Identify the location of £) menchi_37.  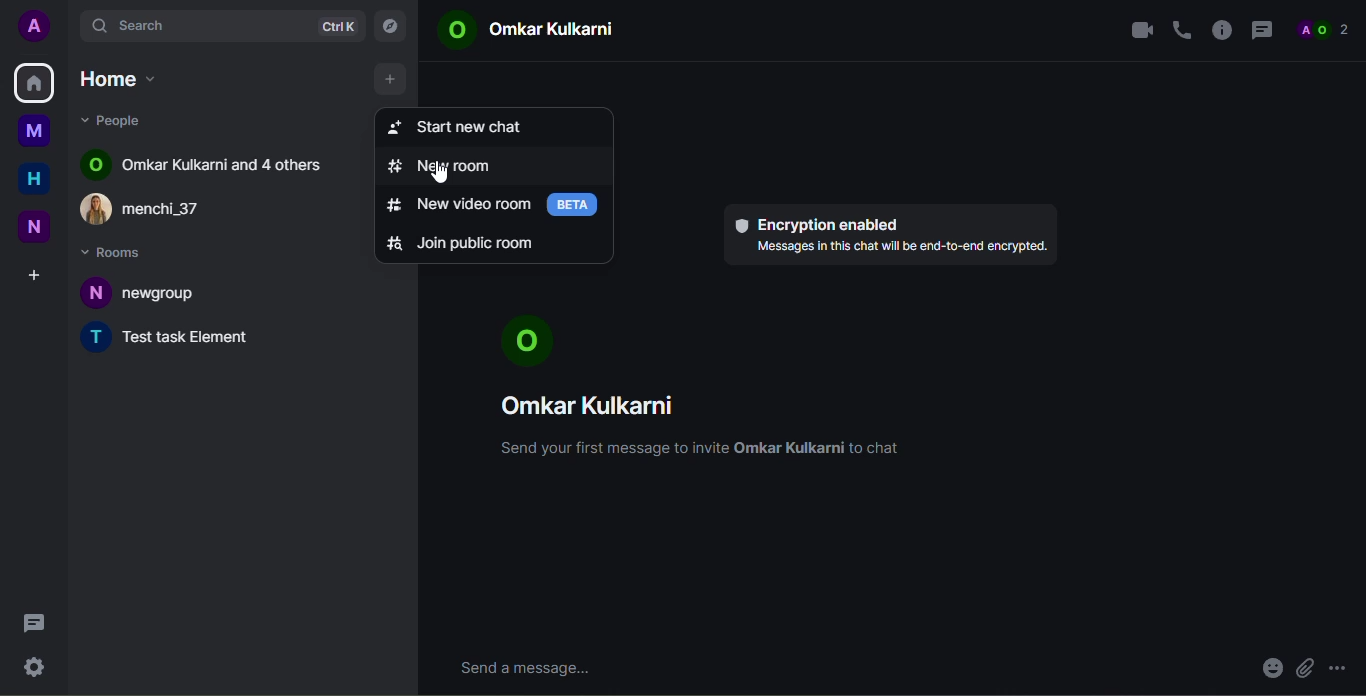
(156, 212).